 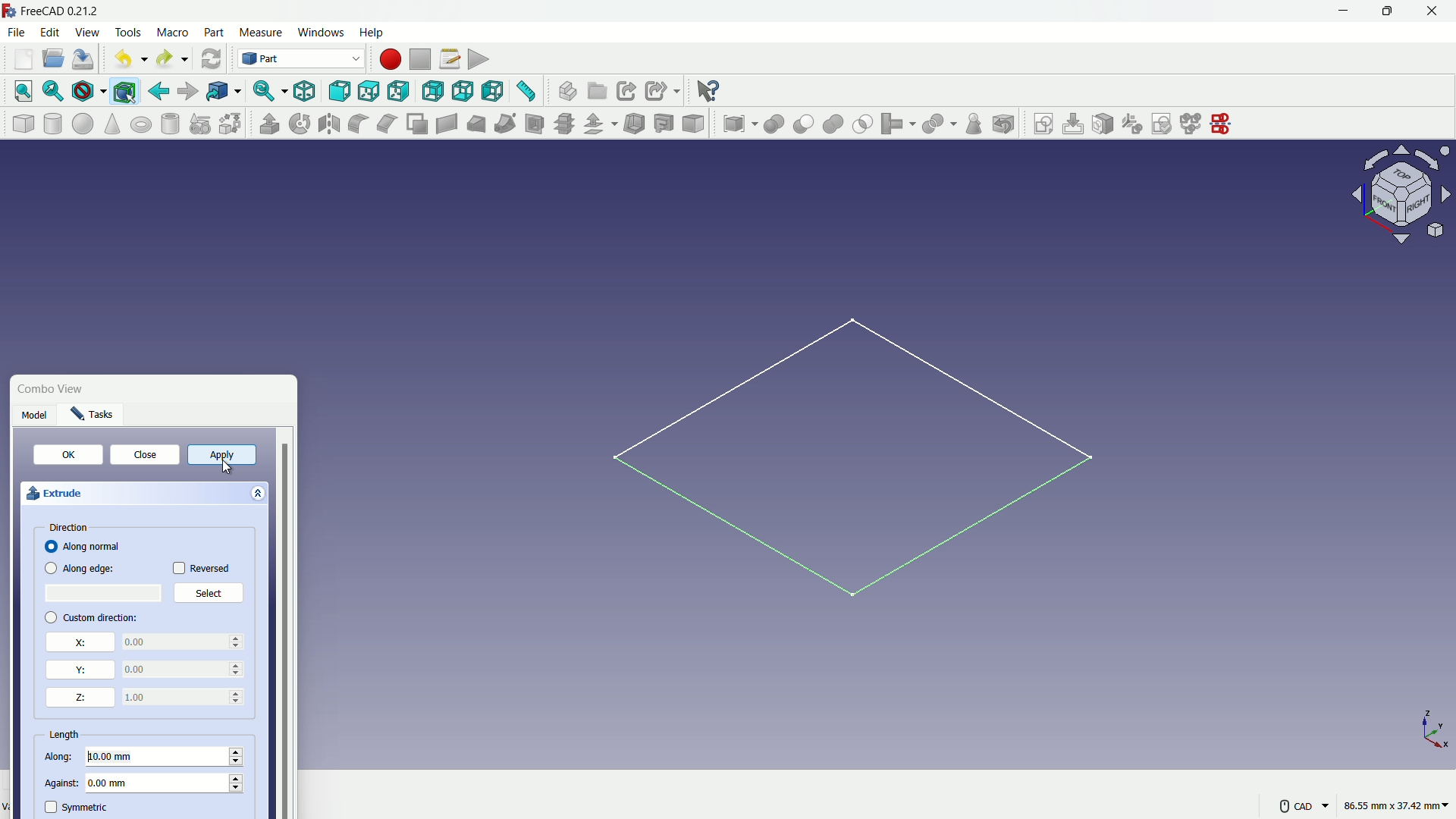 What do you see at coordinates (83, 123) in the screenshot?
I see `sphere` at bounding box center [83, 123].